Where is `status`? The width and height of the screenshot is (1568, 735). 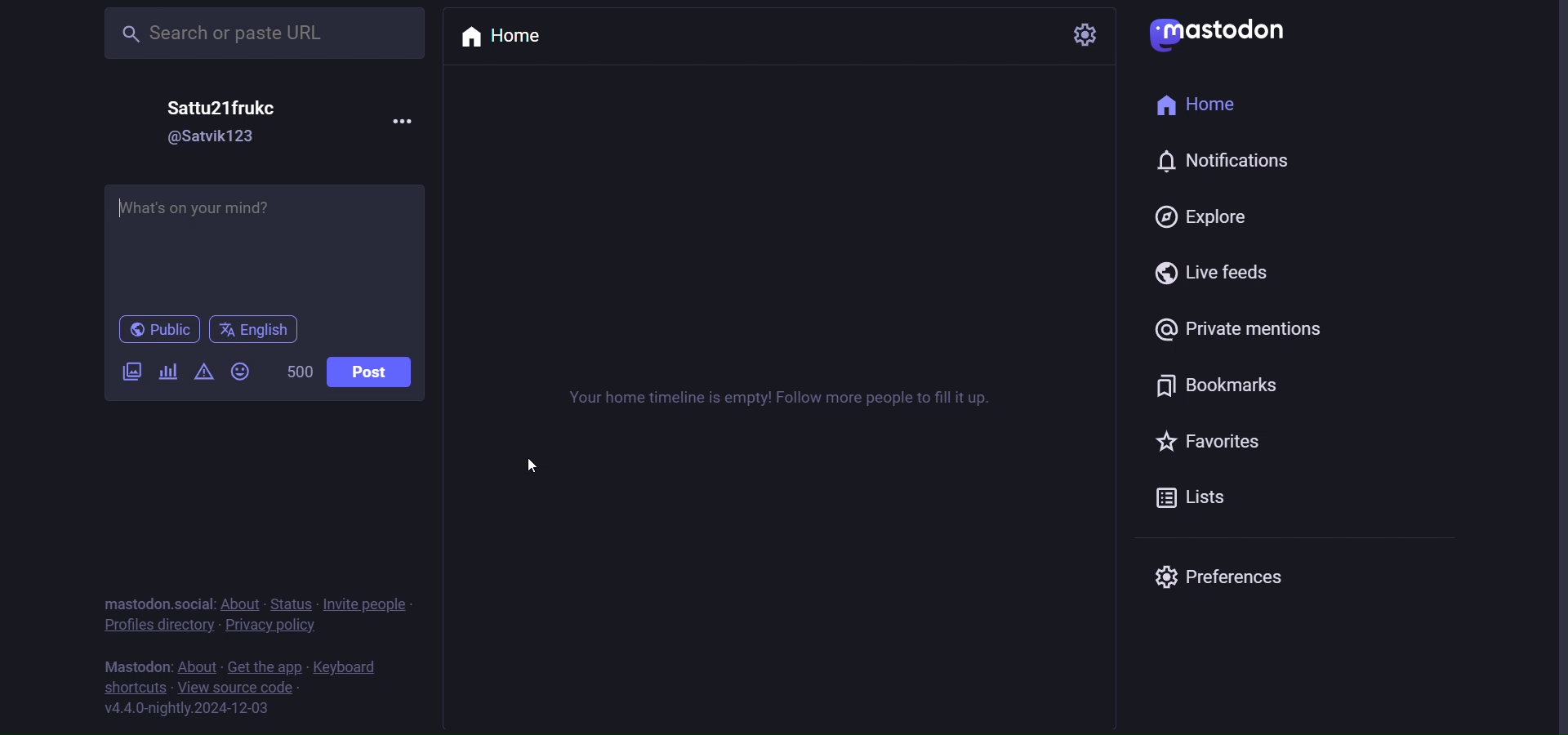 status is located at coordinates (294, 601).